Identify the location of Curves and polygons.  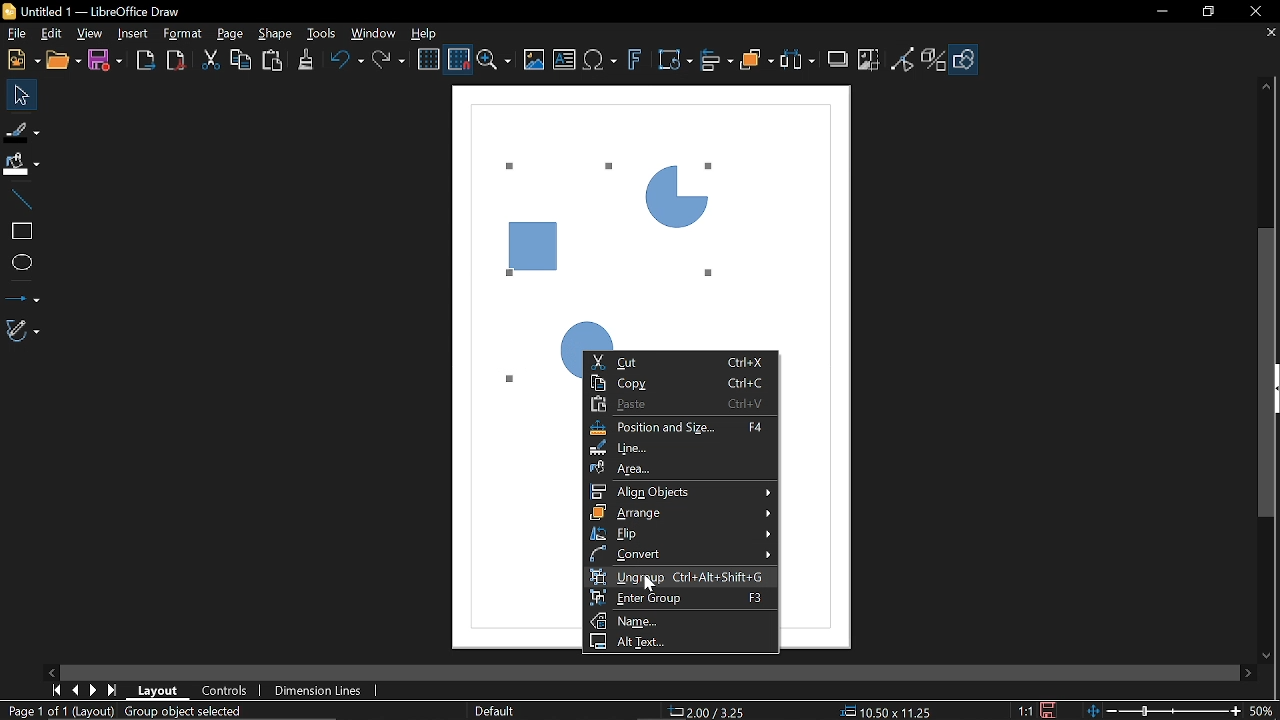
(22, 331).